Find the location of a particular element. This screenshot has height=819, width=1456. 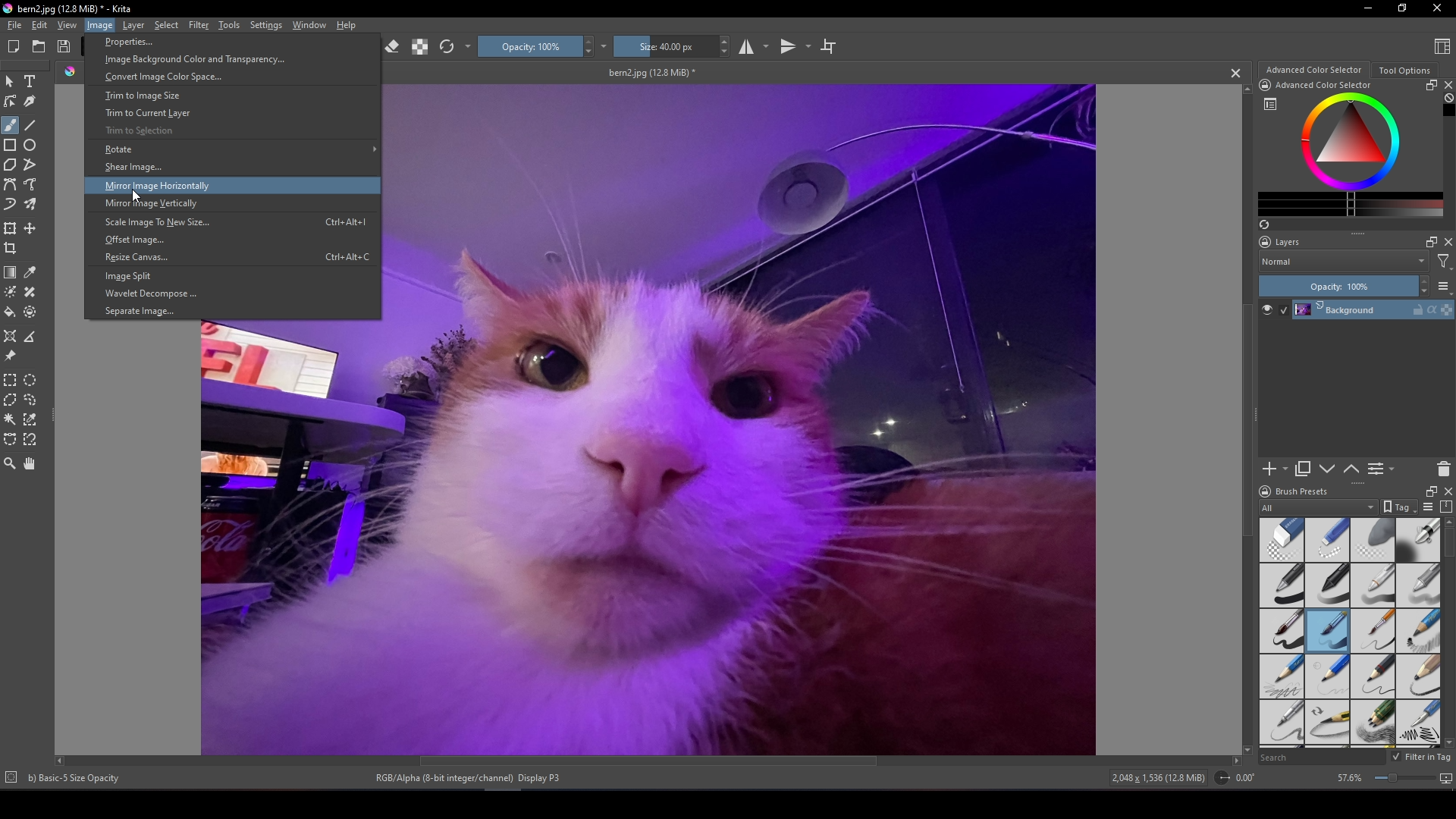

Opacity is located at coordinates (1344, 285).